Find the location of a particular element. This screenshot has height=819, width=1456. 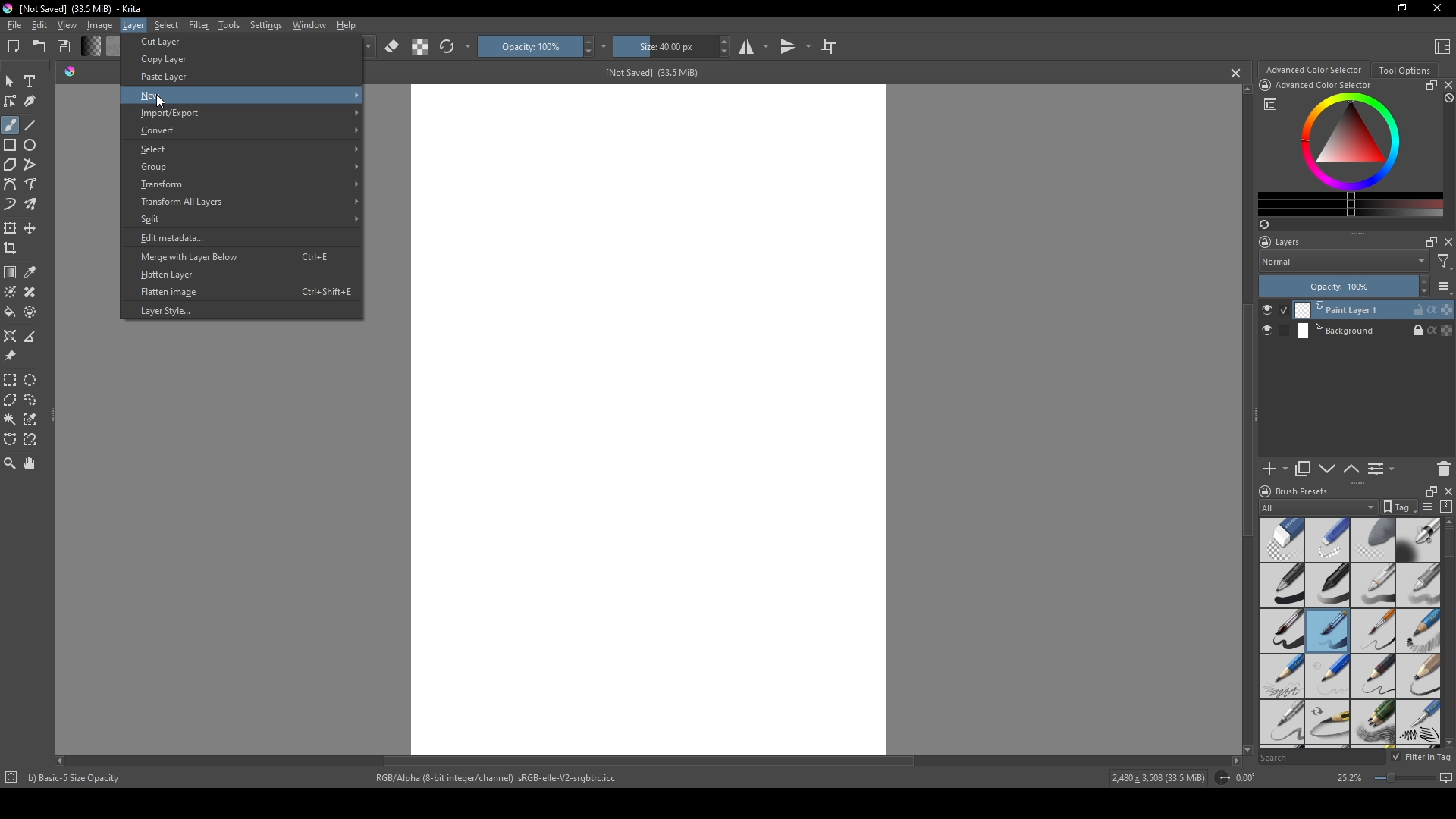

edit shapes is located at coordinates (11, 102).